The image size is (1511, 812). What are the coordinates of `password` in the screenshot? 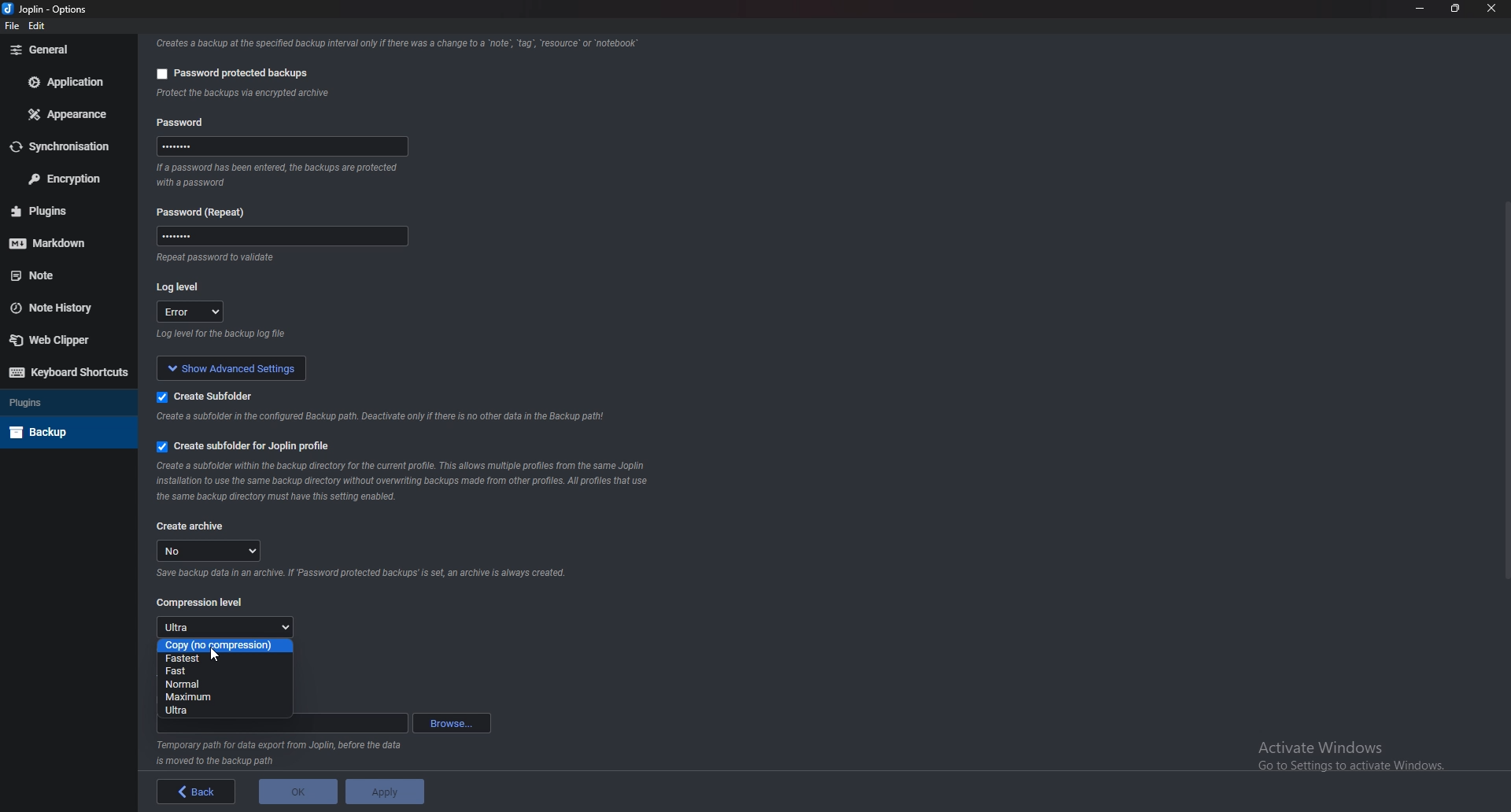 It's located at (277, 238).